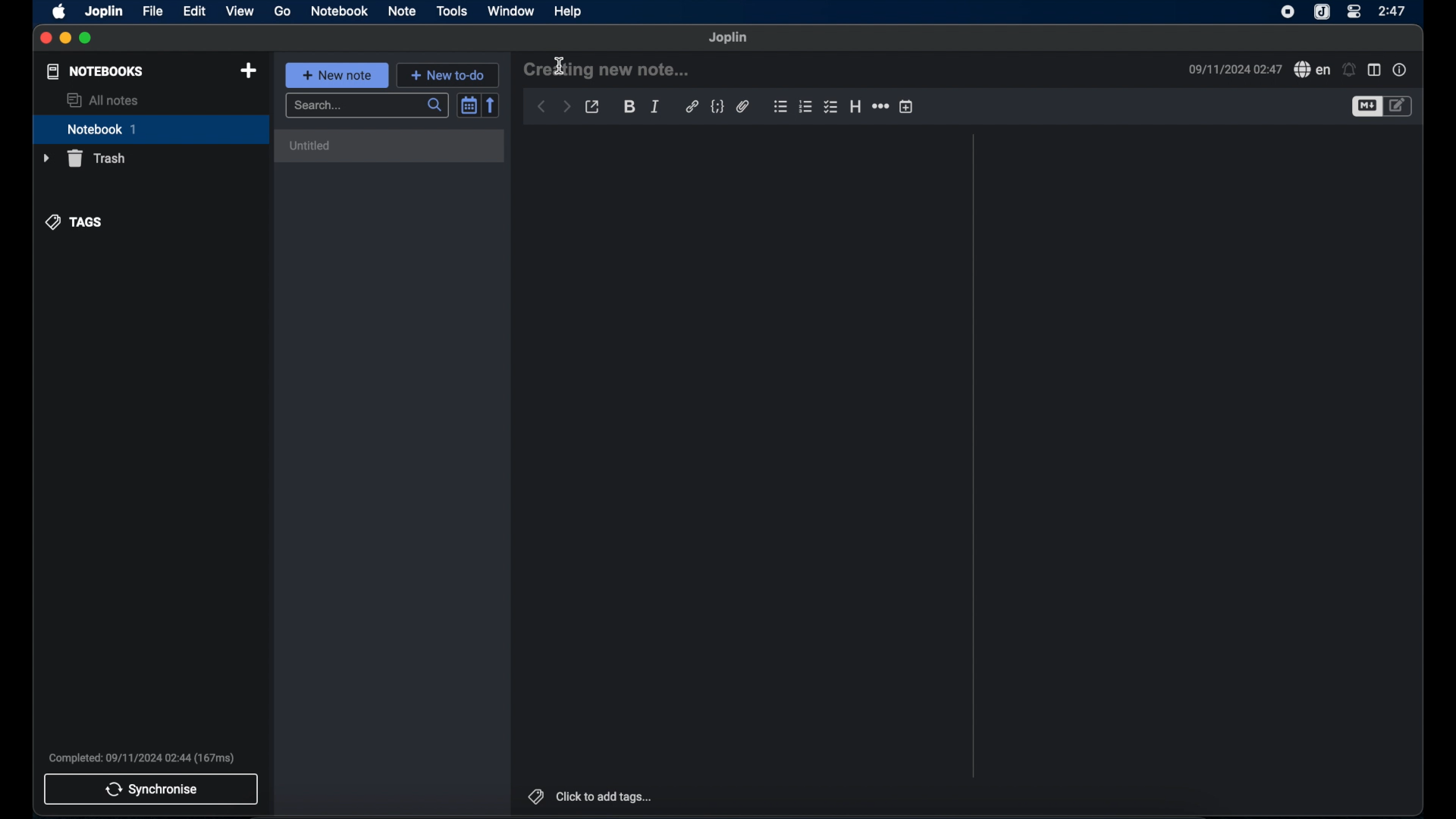  I want to click on new to-do, so click(450, 74).